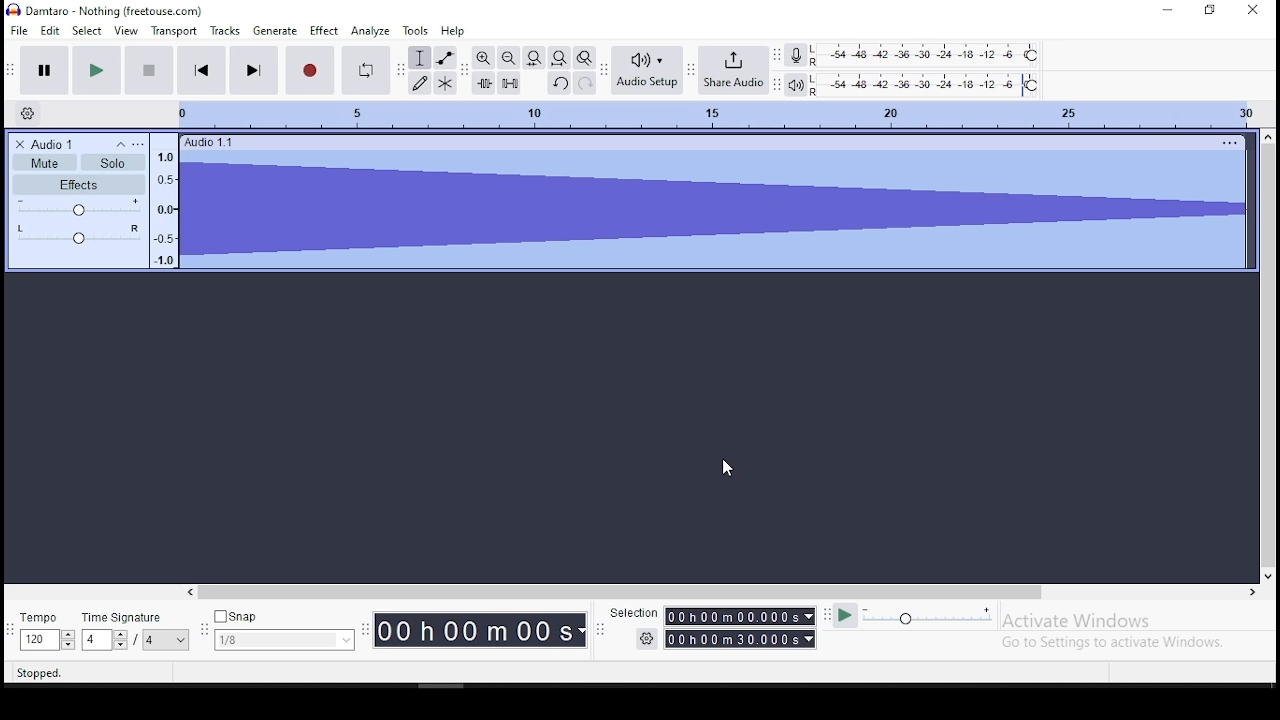  I want to click on tracks, so click(226, 31).